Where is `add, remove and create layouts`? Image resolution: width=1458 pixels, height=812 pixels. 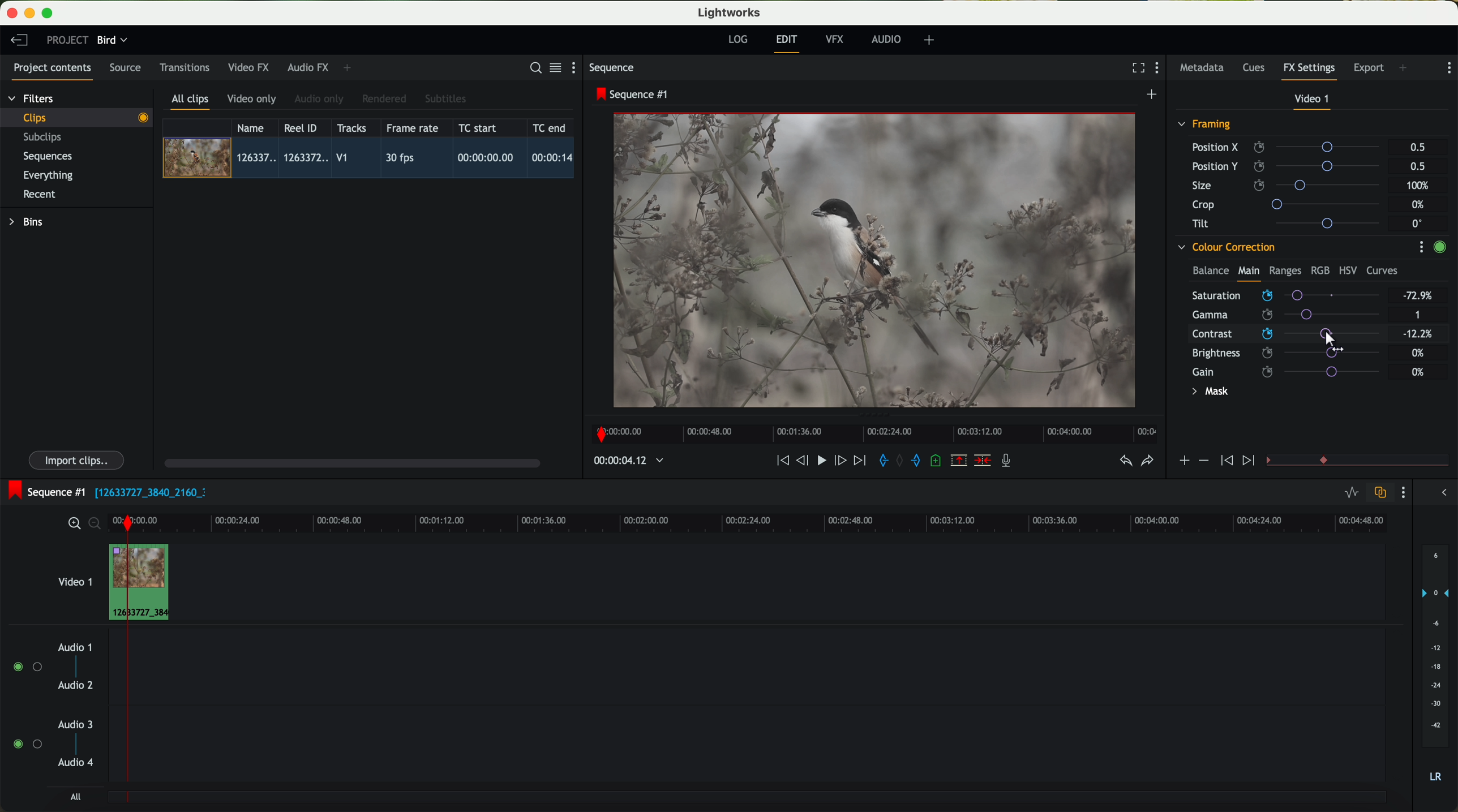 add, remove and create layouts is located at coordinates (931, 40).